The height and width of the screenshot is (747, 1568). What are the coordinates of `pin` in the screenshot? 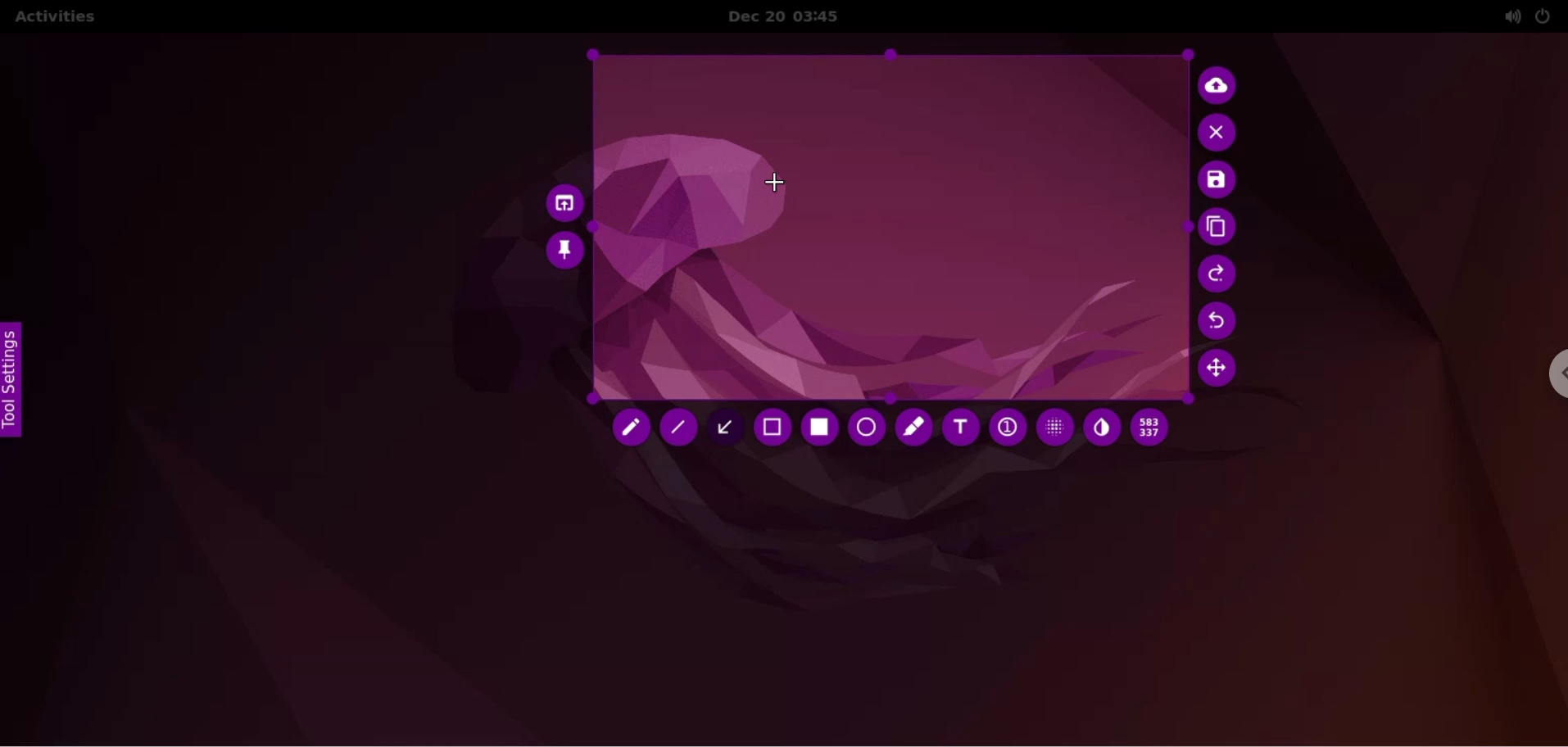 It's located at (565, 250).